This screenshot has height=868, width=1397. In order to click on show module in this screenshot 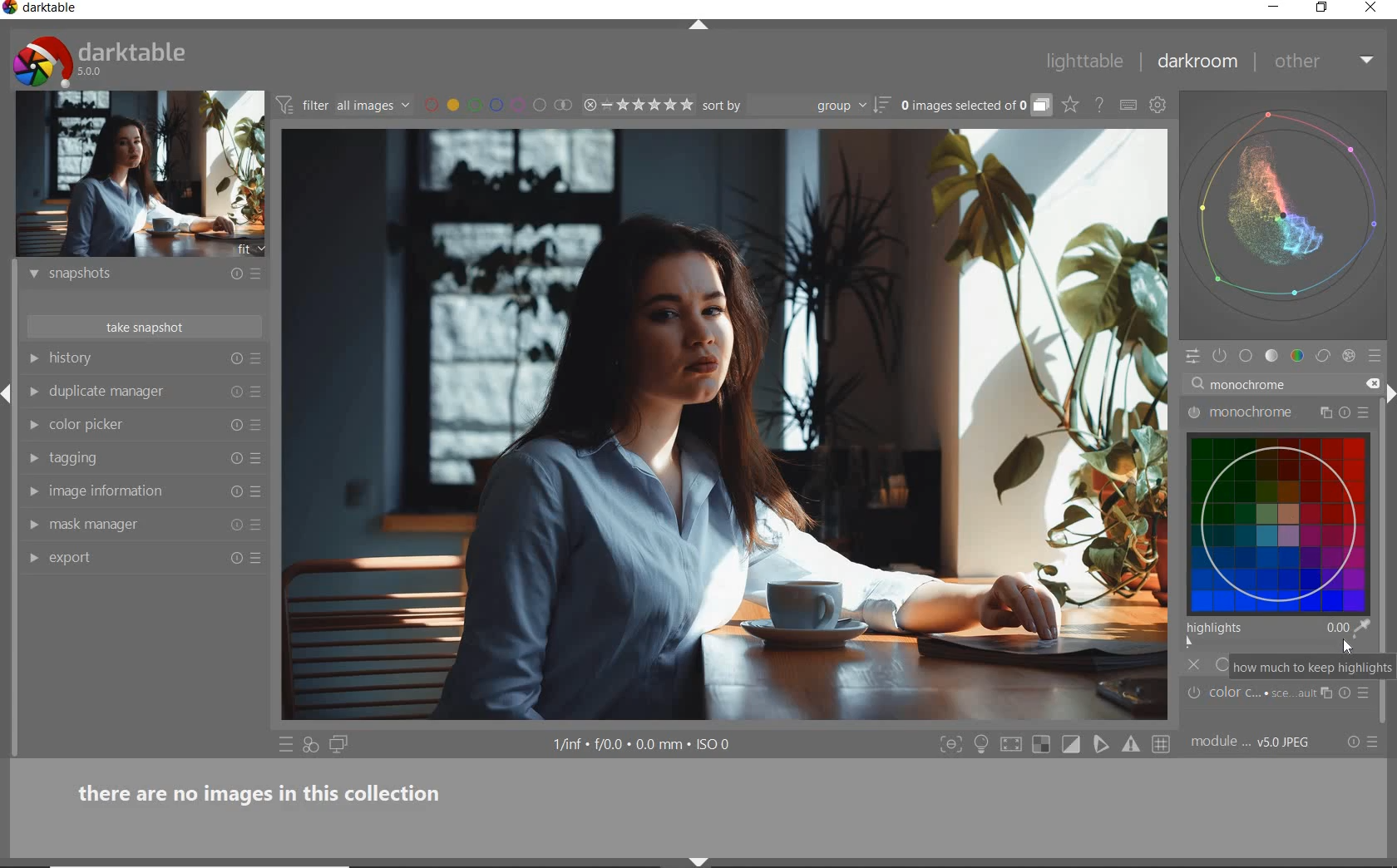, I will do `click(32, 525)`.